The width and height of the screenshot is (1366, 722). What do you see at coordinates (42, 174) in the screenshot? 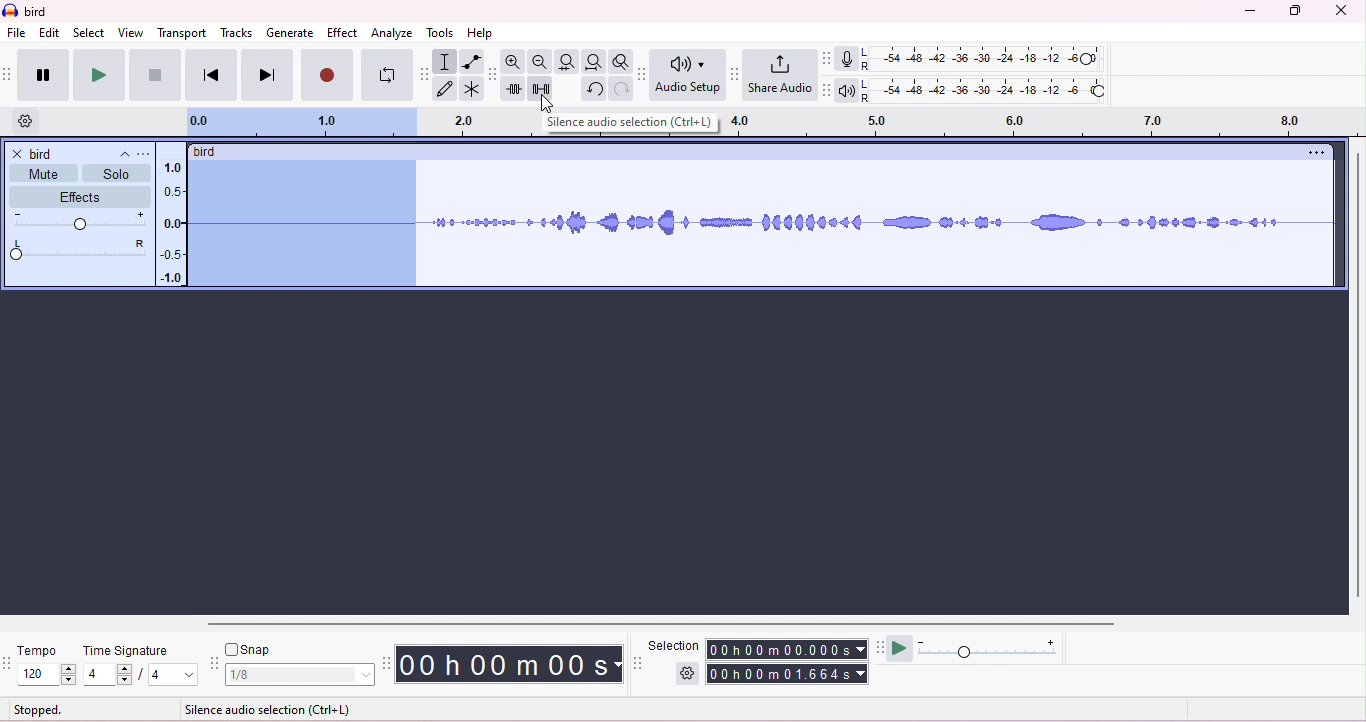
I see `mute` at bounding box center [42, 174].